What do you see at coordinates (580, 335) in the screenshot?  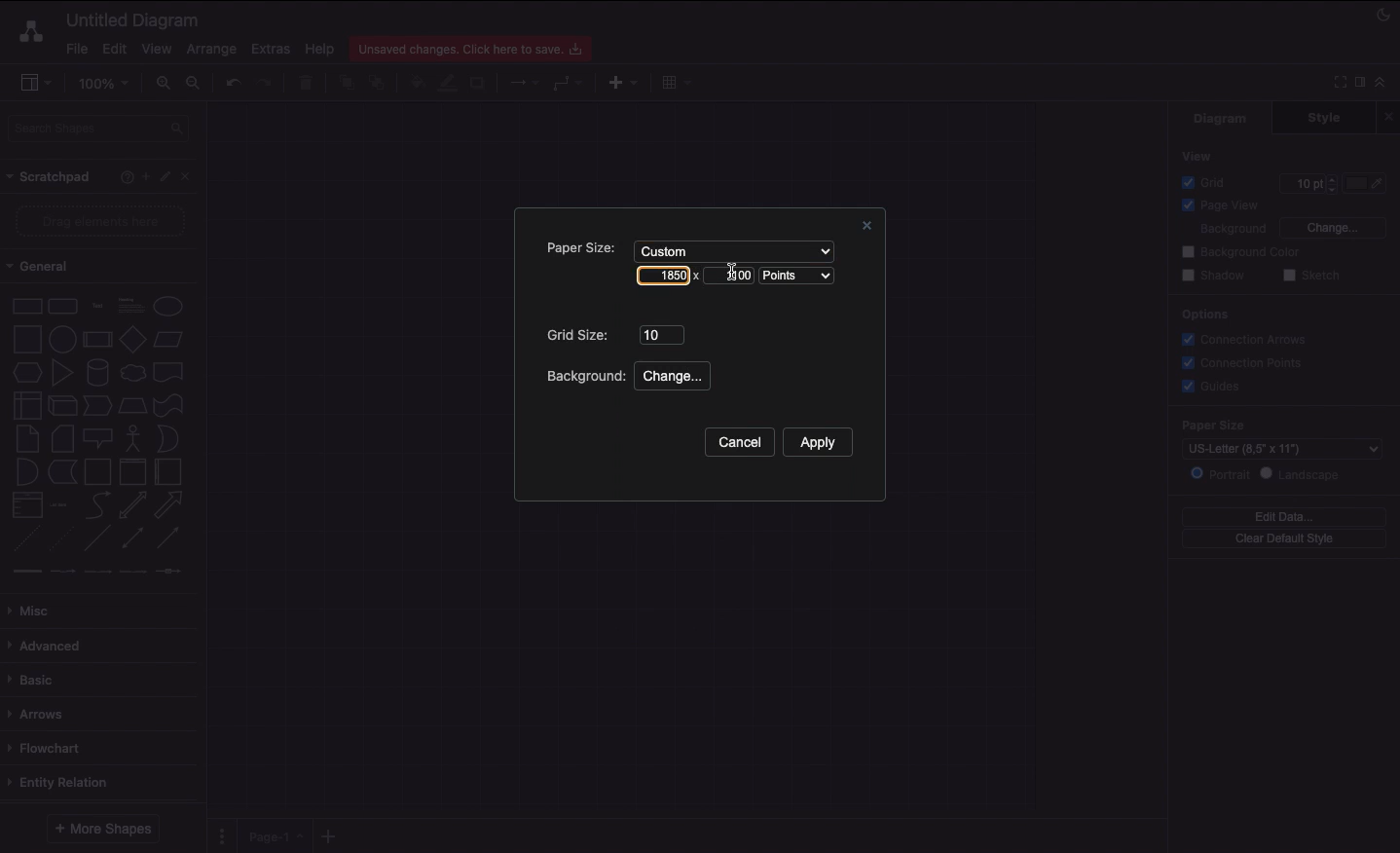 I see `Grid size` at bounding box center [580, 335].